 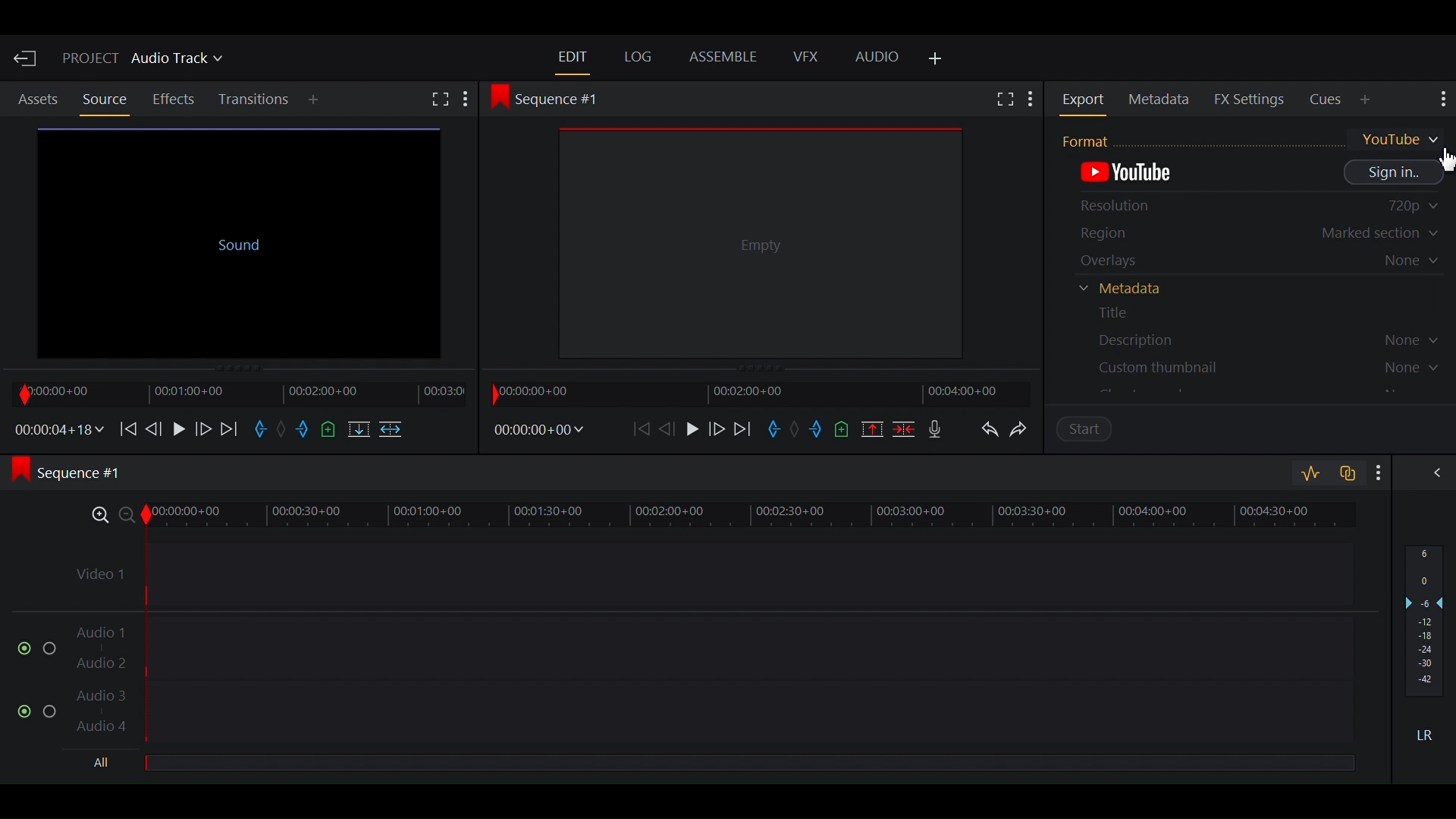 I want to click on Sound, so click(x=236, y=240).